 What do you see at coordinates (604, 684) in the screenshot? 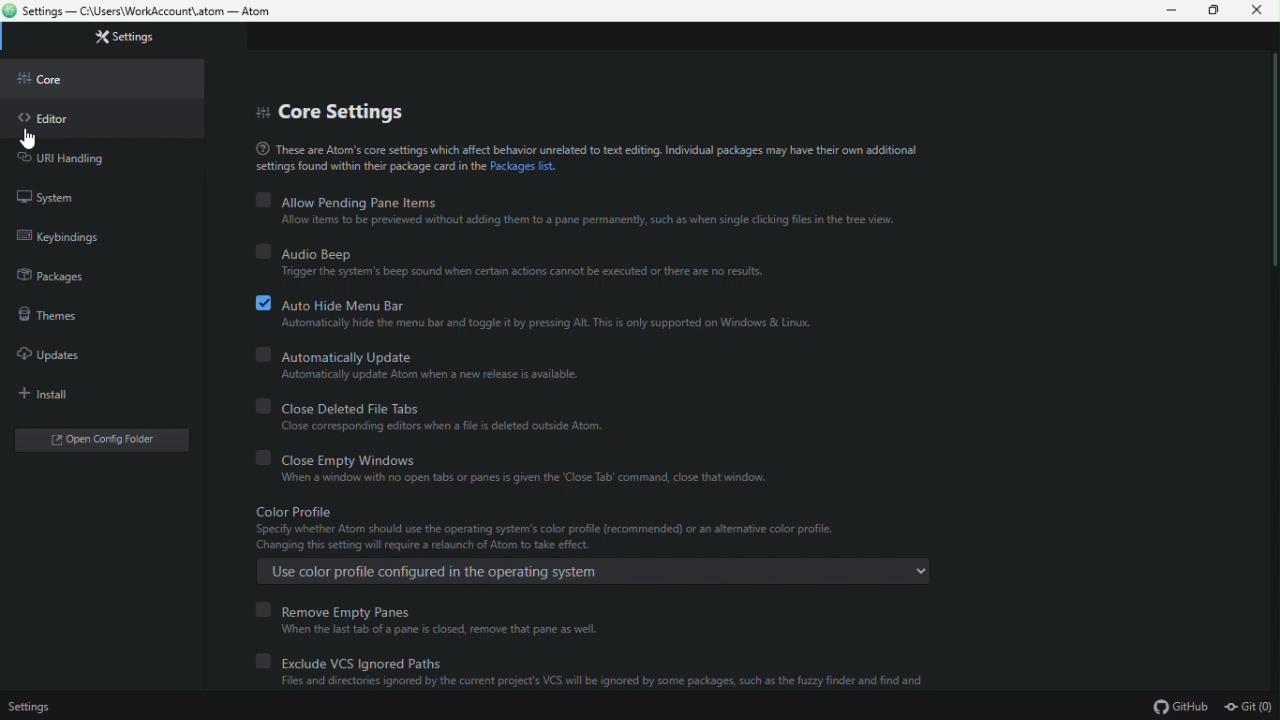
I see `Files and directories ignored by the current project's VCS will be ignored by some packages, such as the fuzzy finder and find and` at bounding box center [604, 684].